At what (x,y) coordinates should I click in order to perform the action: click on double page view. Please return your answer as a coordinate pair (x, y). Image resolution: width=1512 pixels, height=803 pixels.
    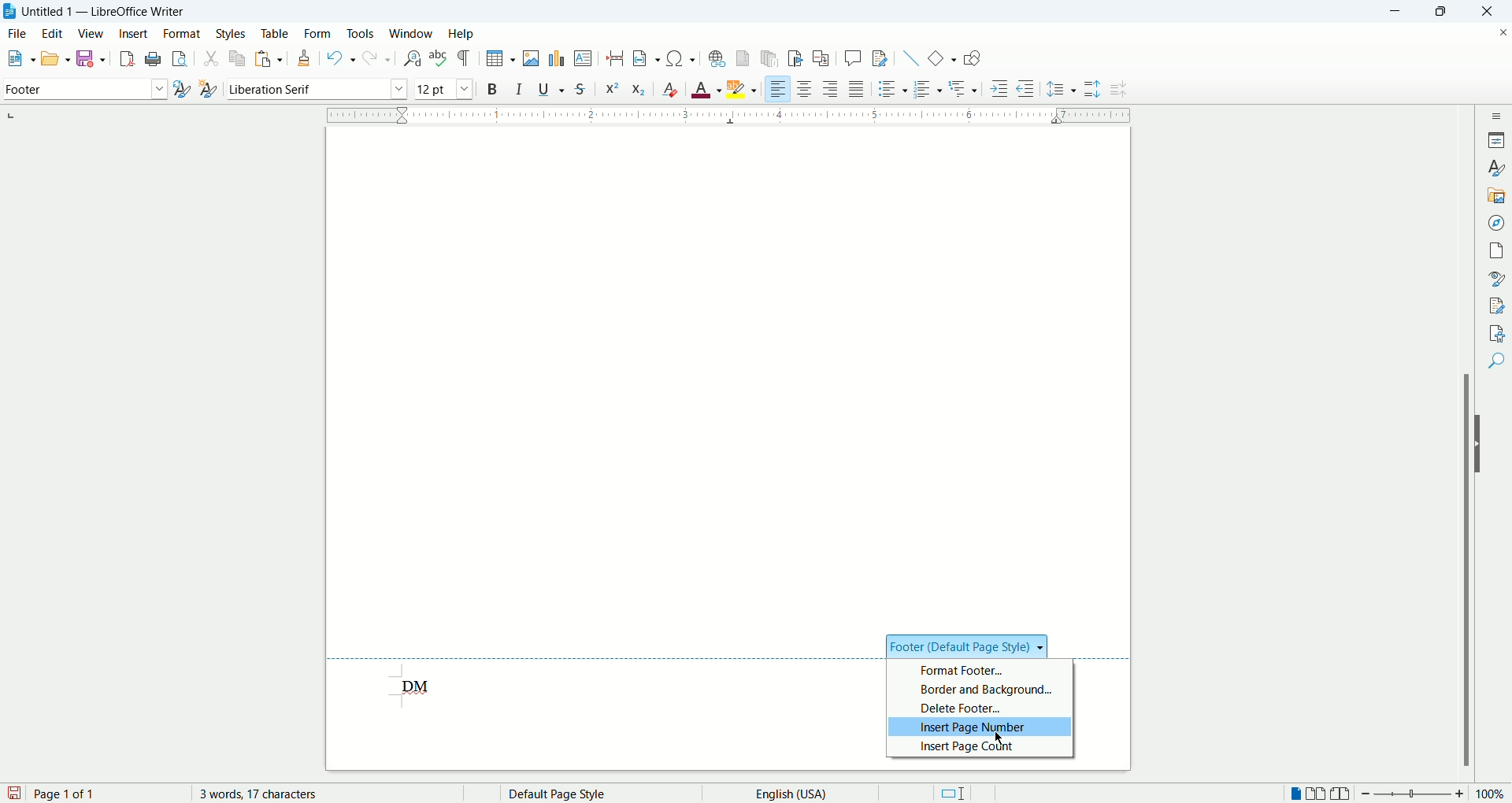
    Looking at the image, I should click on (1319, 794).